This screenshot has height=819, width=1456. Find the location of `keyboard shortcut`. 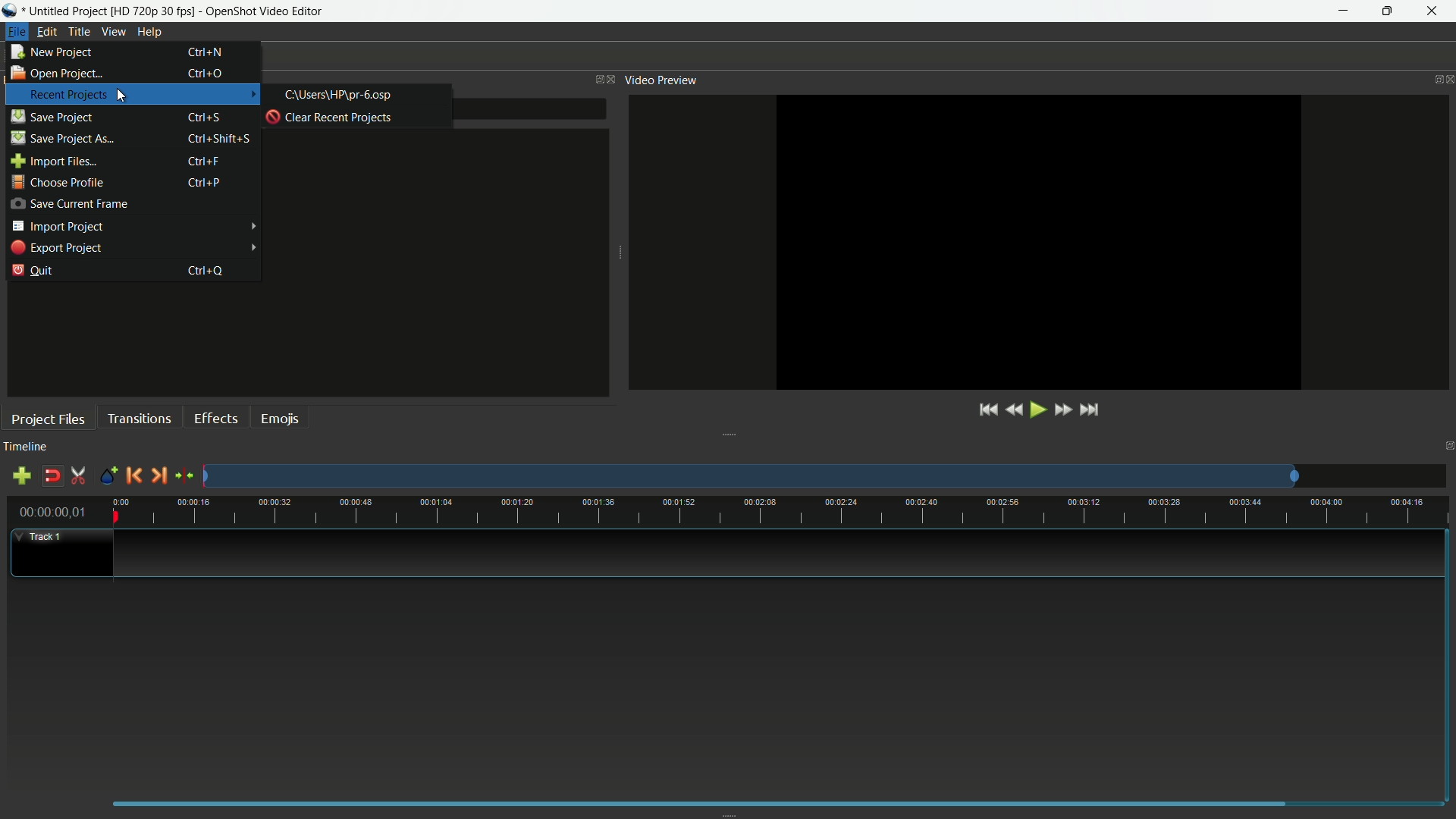

keyboard shortcut is located at coordinates (207, 52).